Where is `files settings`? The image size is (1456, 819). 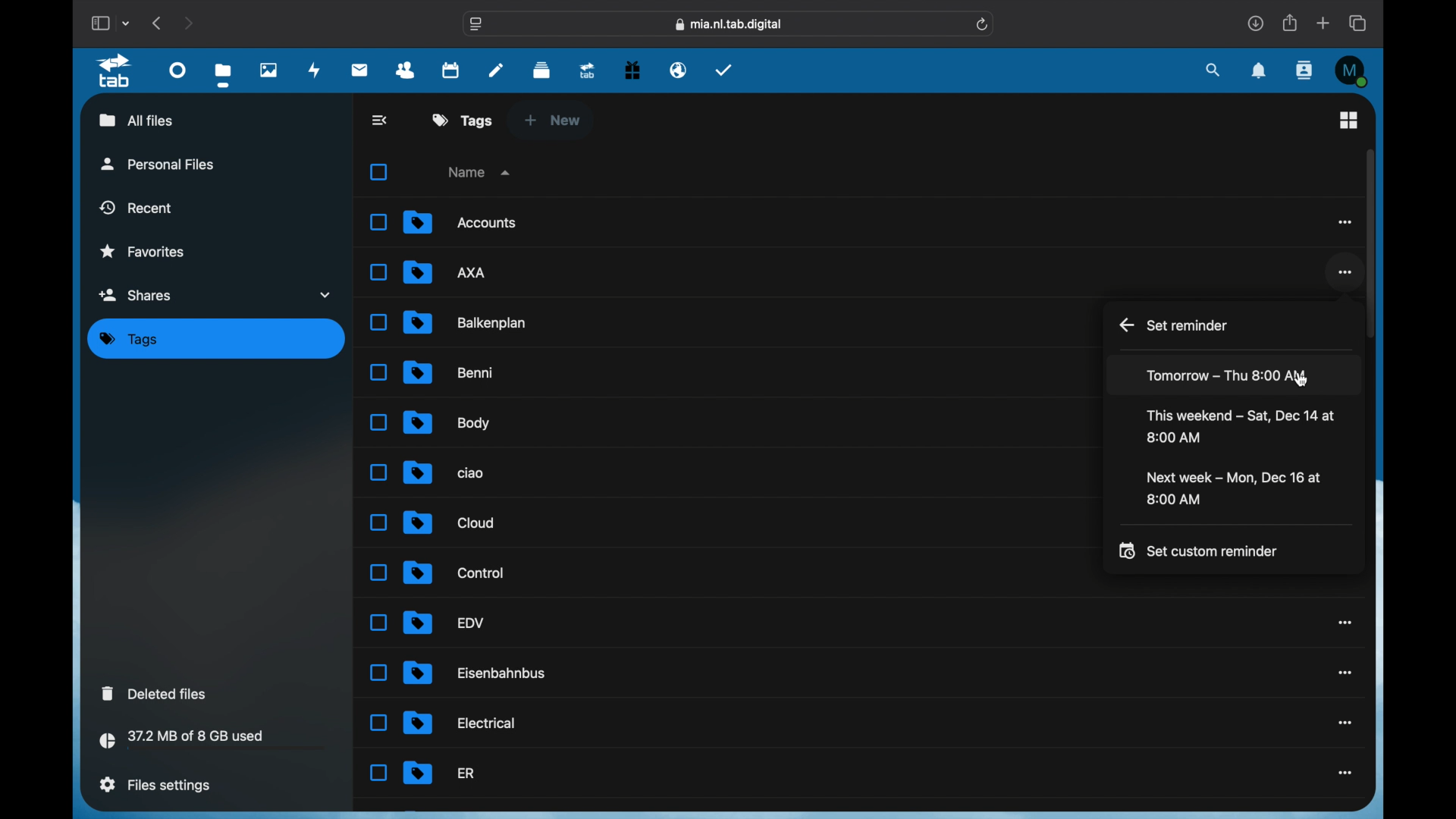 files settings is located at coordinates (155, 784).